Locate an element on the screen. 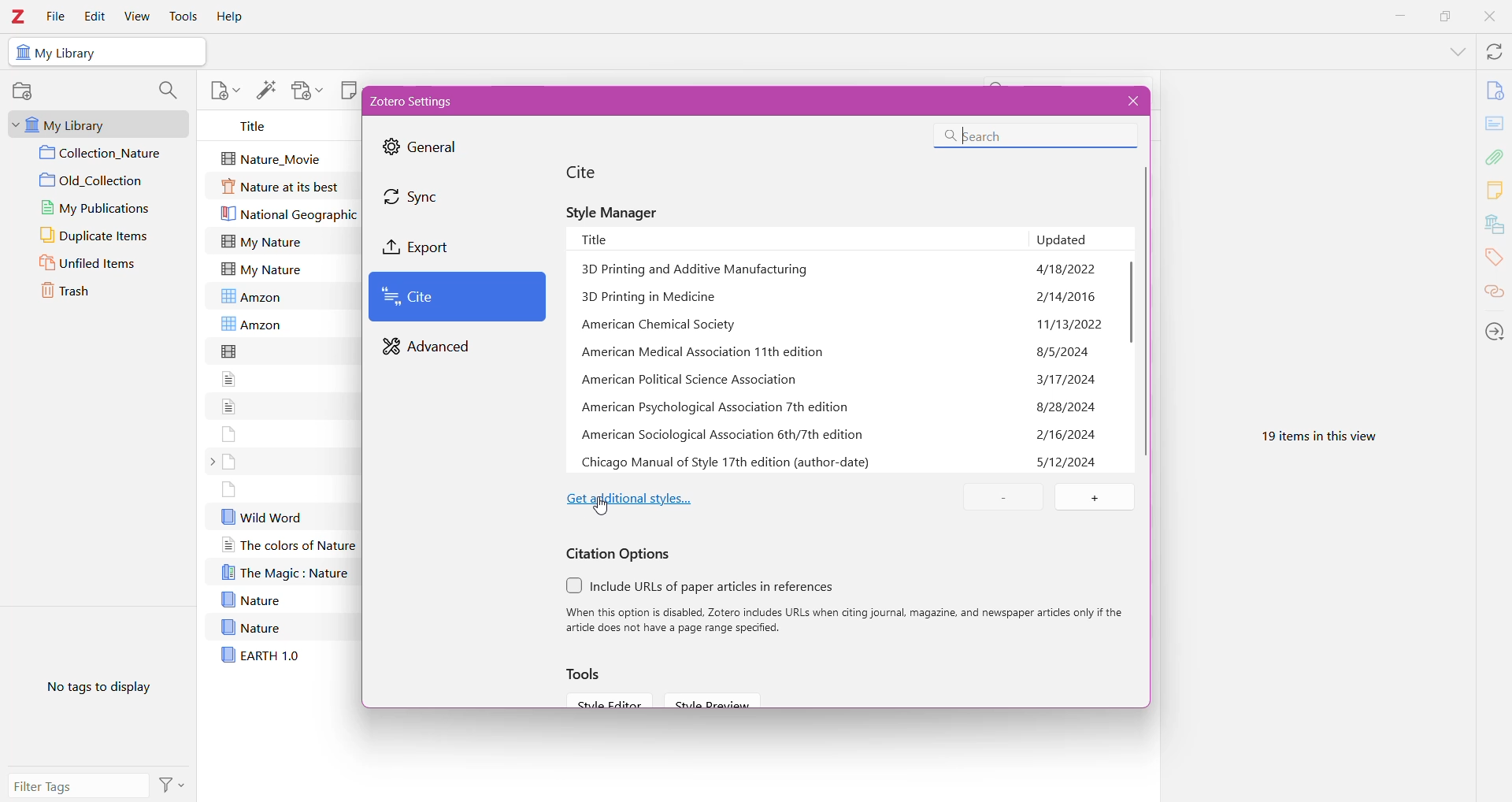  Duplicate Items is located at coordinates (104, 236).